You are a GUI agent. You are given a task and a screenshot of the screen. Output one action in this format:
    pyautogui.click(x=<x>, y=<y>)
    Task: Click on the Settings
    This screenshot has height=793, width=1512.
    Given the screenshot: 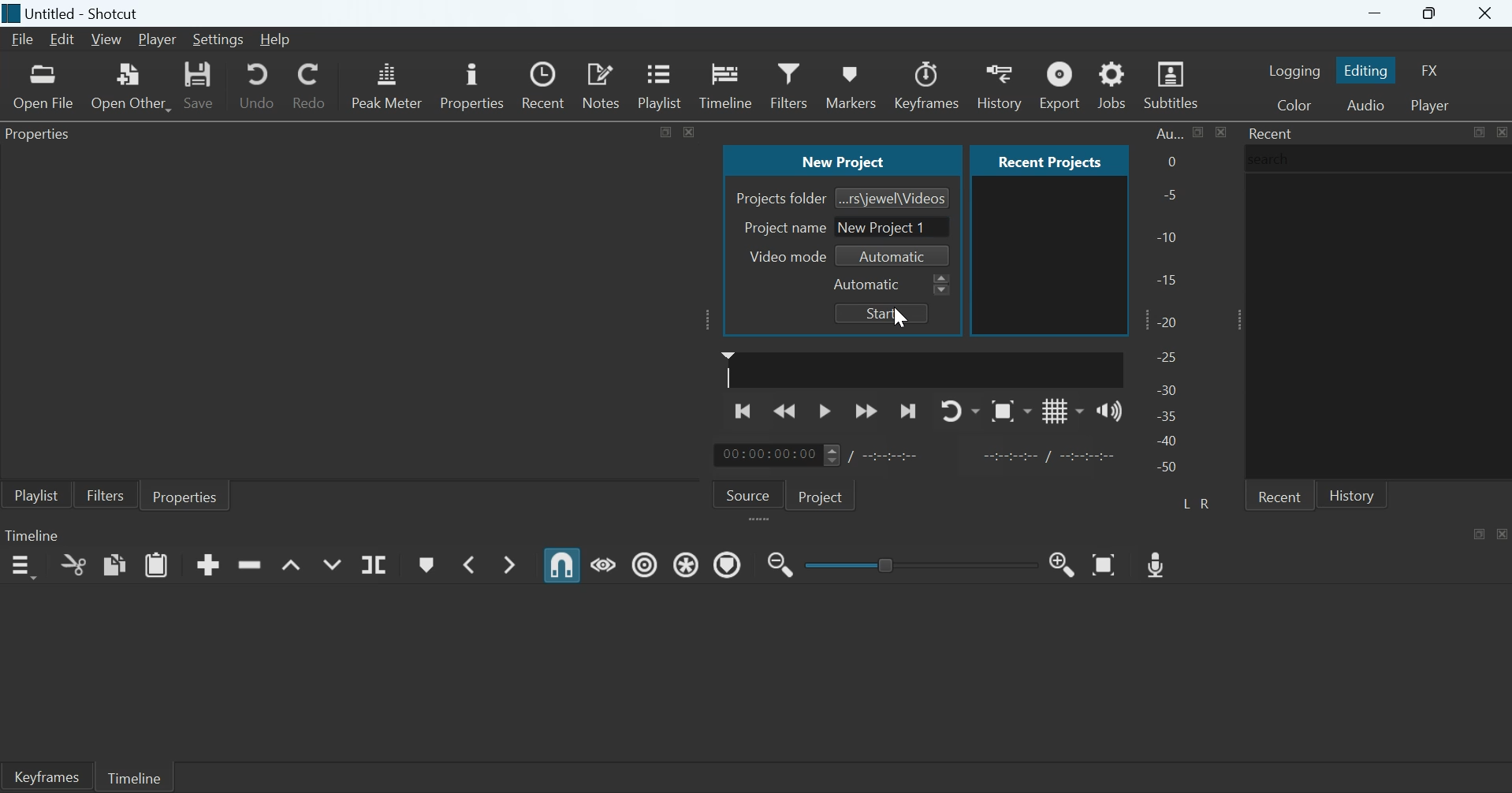 What is the action you would take?
    pyautogui.click(x=218, y=40)
    